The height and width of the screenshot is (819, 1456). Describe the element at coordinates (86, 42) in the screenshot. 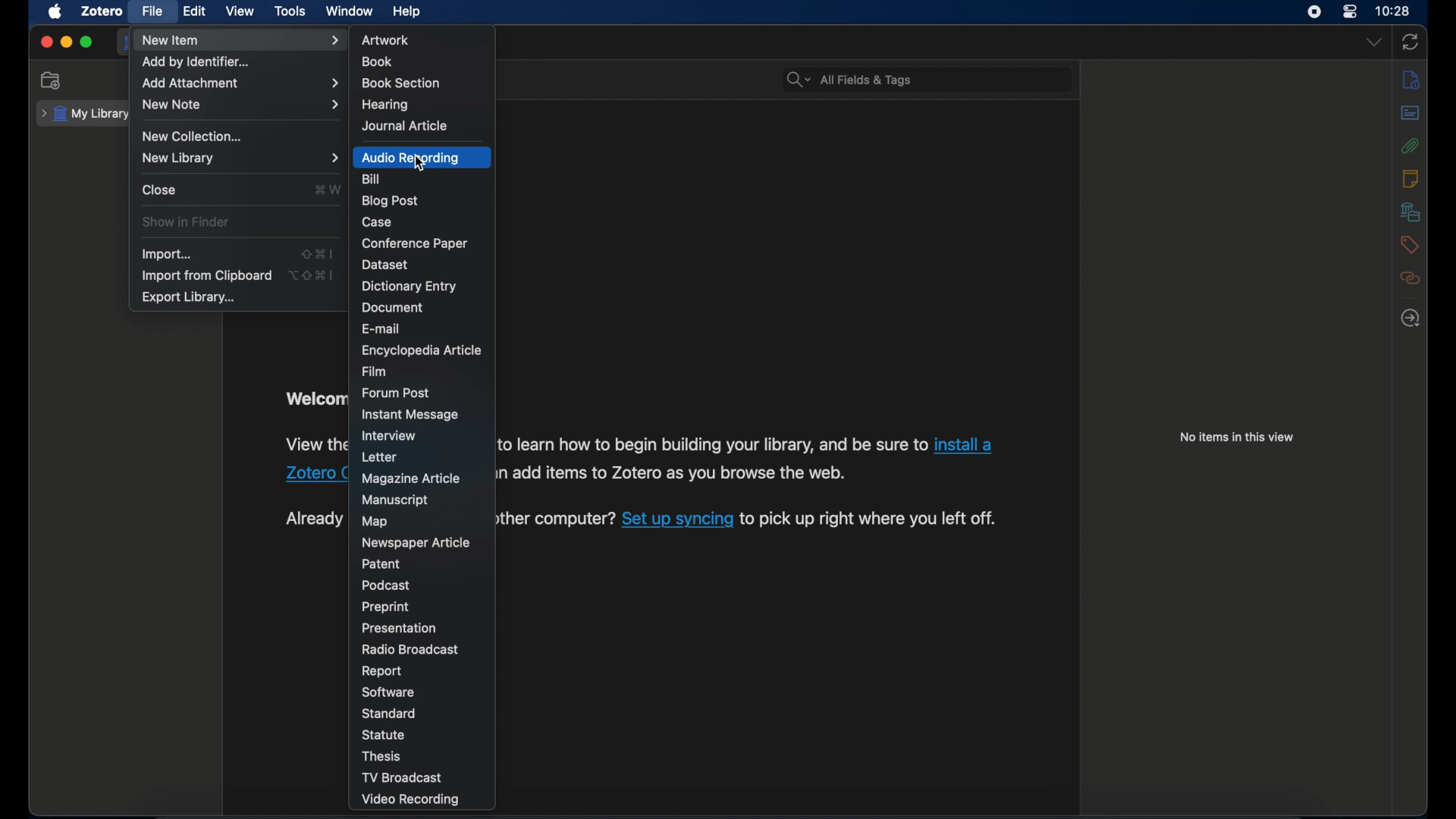

I see `maximize` at that location.